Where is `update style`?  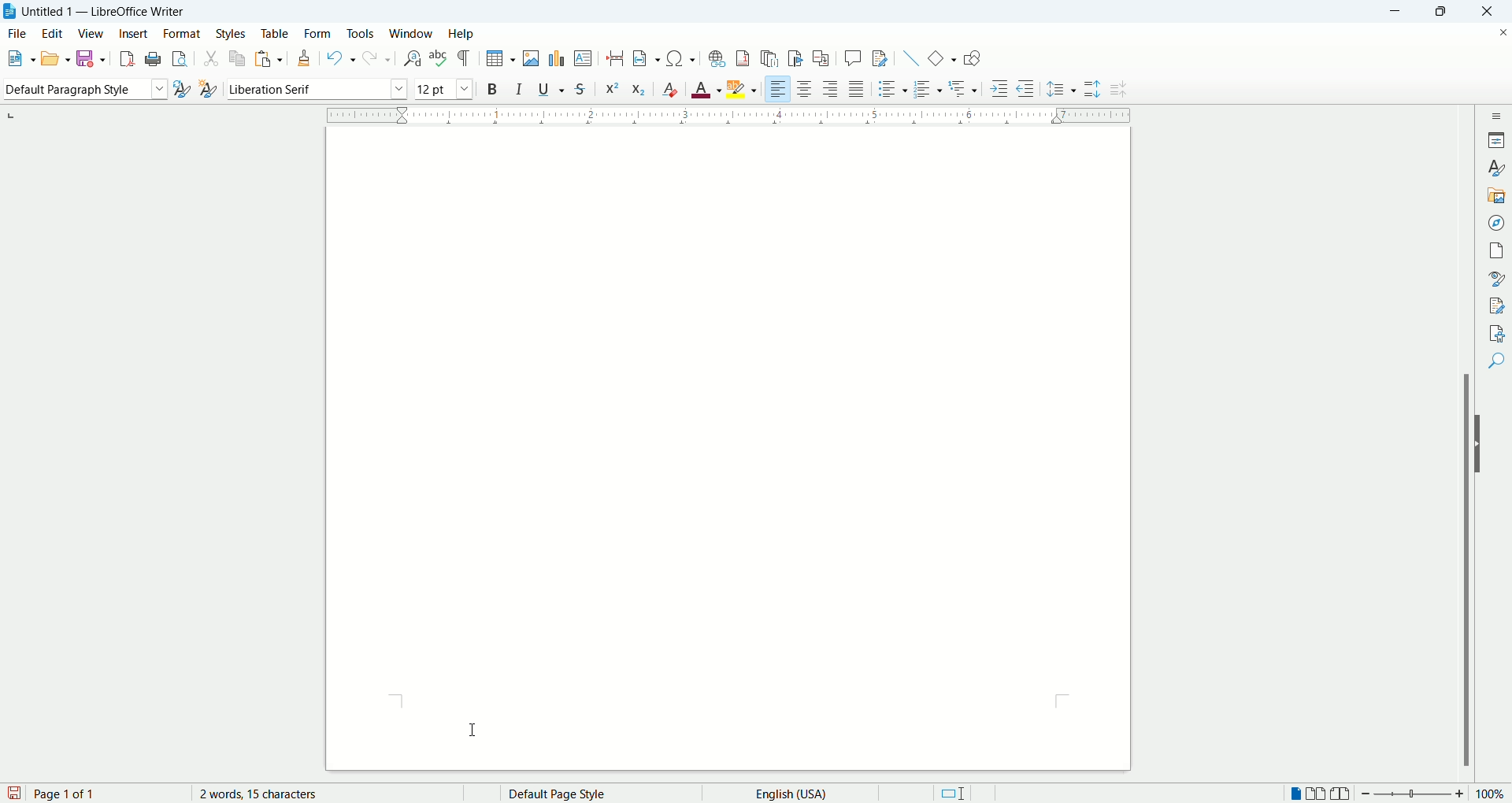 update style is located at coordinates (181, 90).